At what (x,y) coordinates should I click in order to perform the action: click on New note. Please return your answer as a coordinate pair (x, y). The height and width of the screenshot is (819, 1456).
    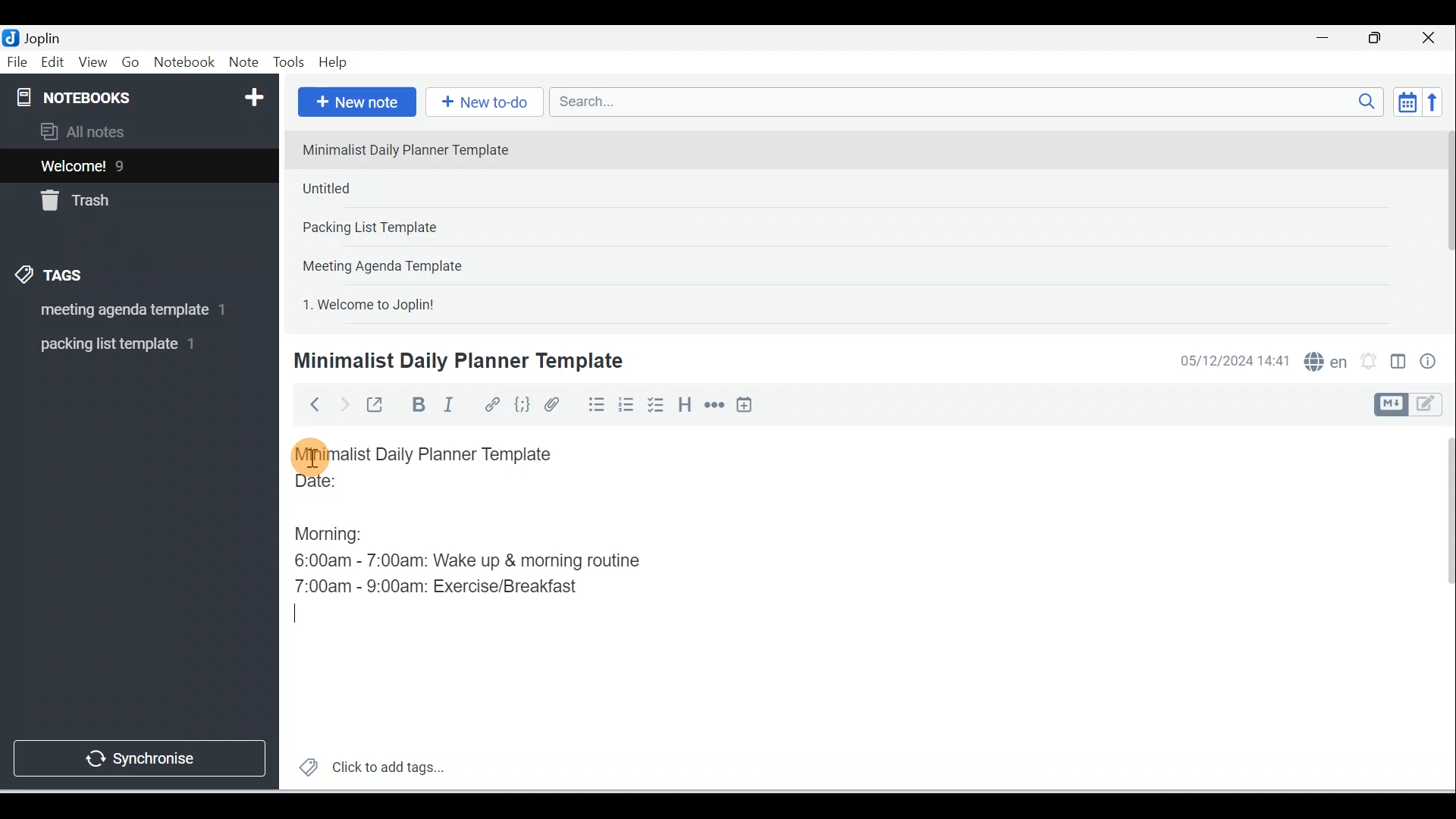
    Looking at the image, I should click on (354, 103).